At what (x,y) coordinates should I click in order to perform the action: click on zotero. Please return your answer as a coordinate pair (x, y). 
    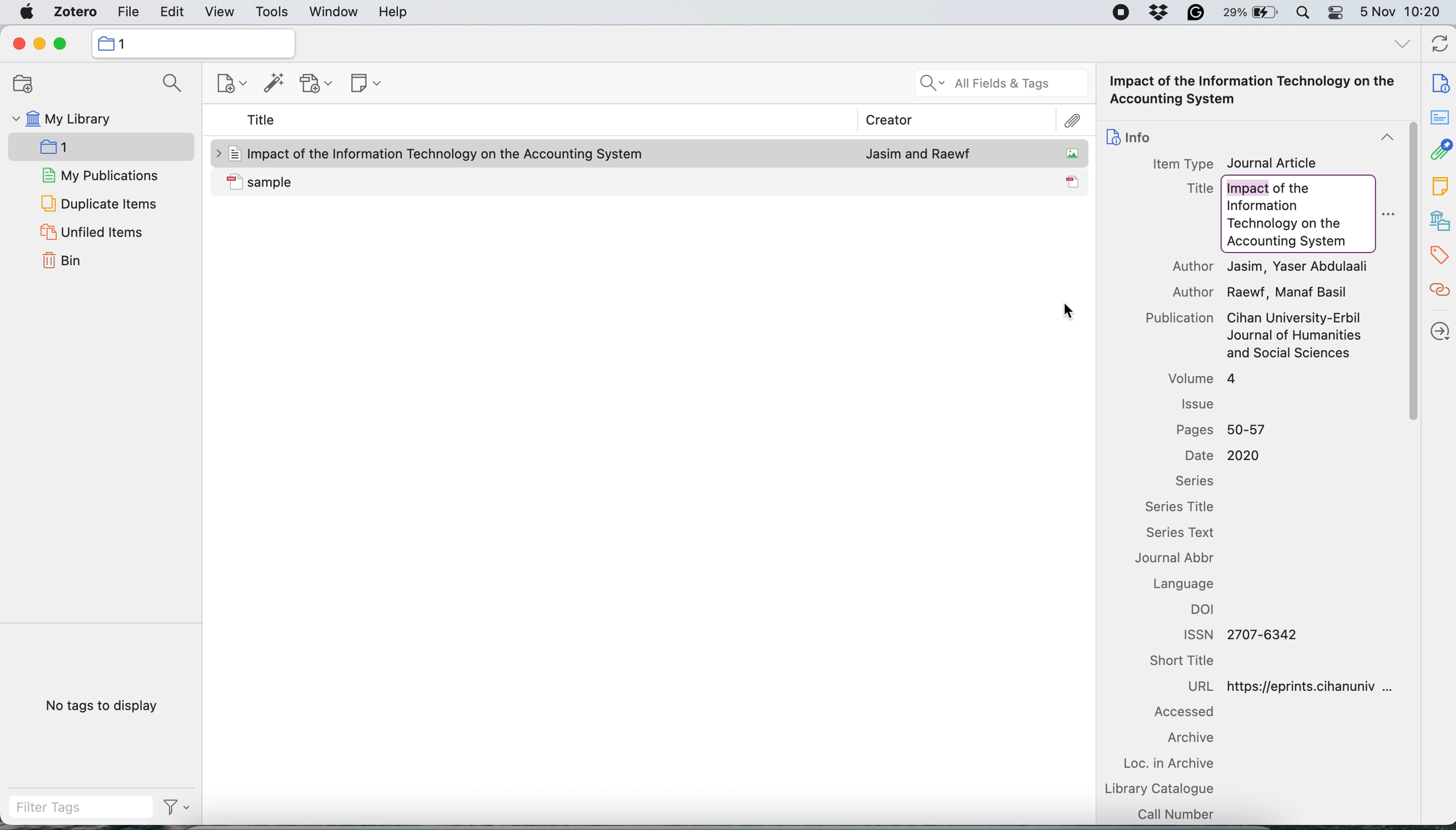
    Looking at the image, I should click on (72, 13).